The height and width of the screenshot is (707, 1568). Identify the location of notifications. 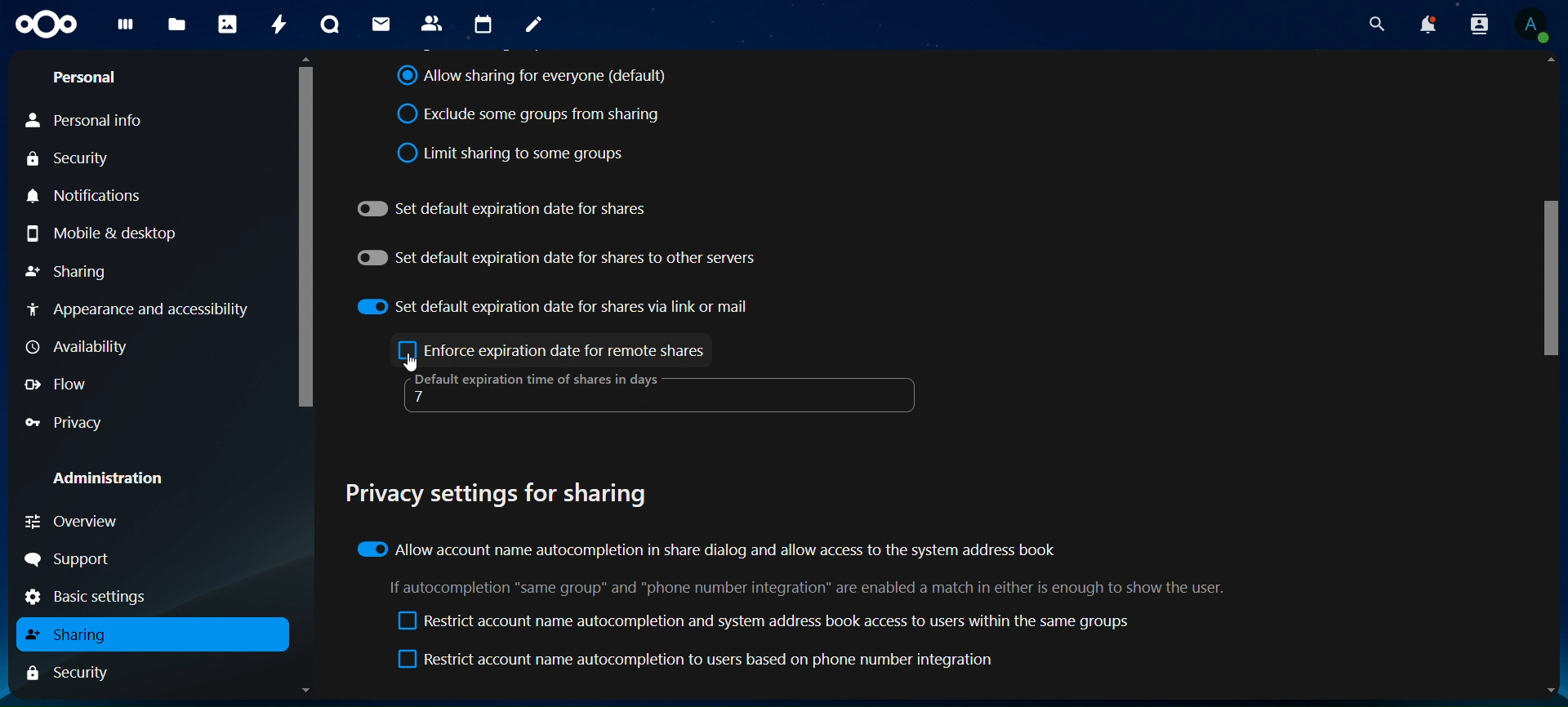
(97, 195).